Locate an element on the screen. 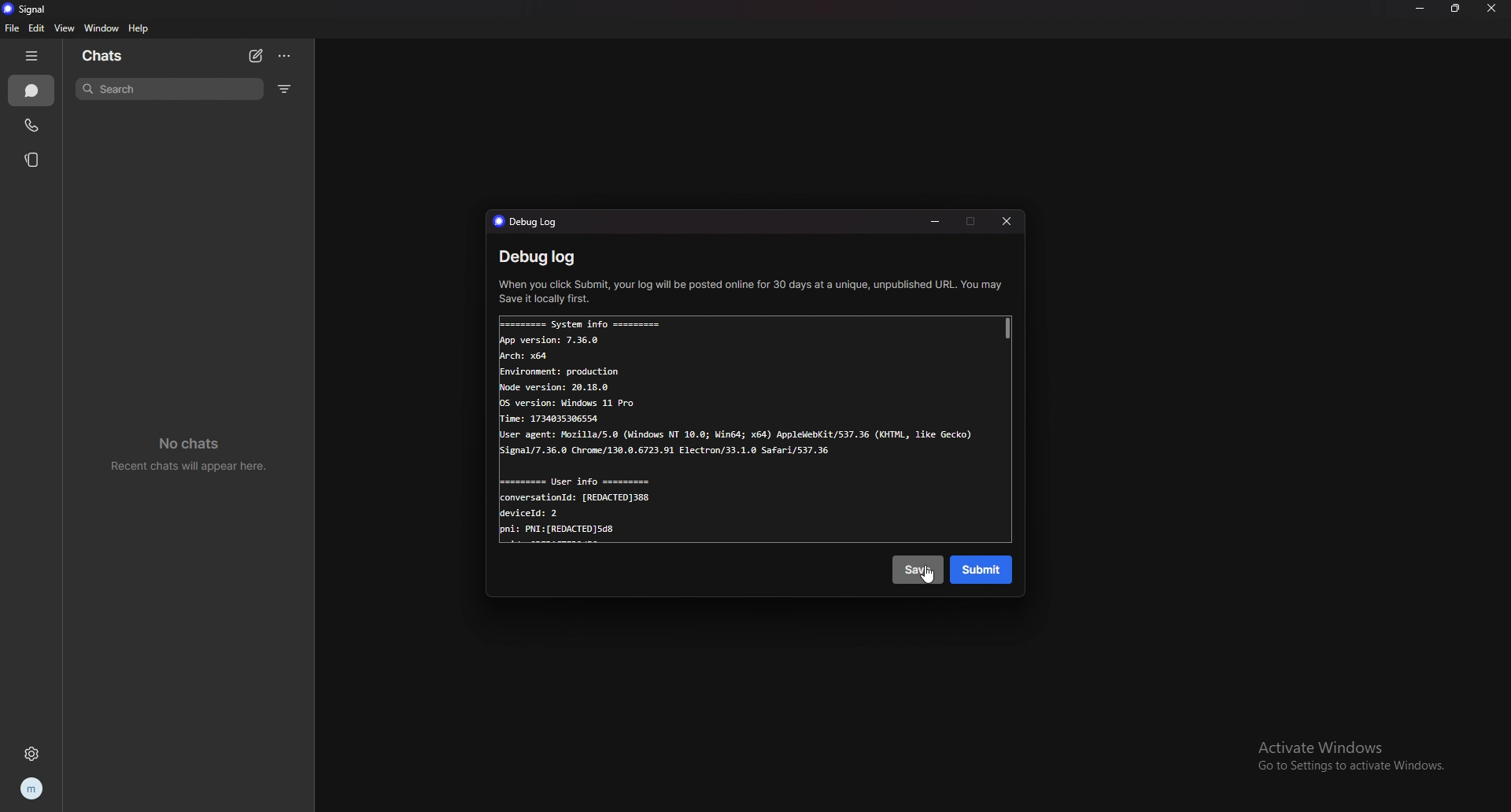 The height and width of the screenshot is (812, 1511). search is located at coordinates (170, 90).